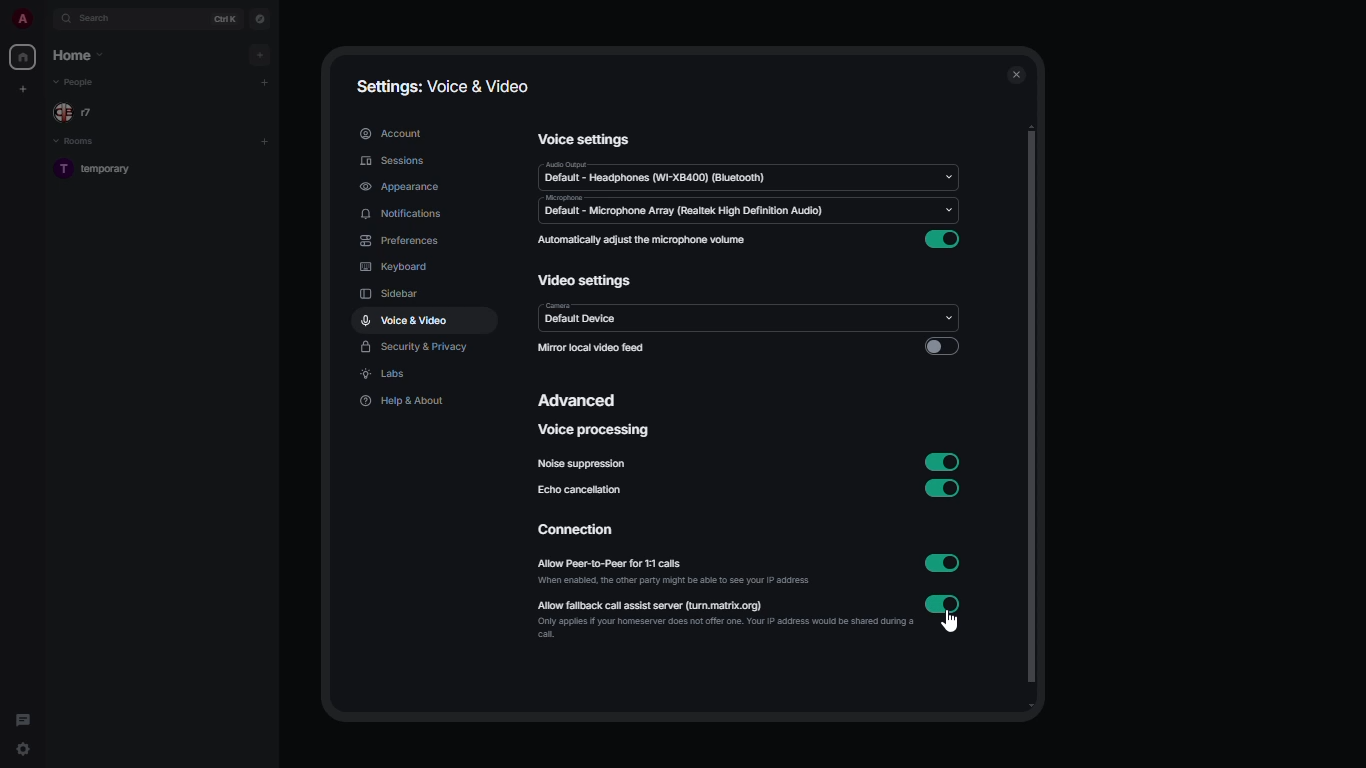 Image resolution: width=1366 pixels, height=768 pixels. I want to click on mirror local video feed, so click(591, 349).